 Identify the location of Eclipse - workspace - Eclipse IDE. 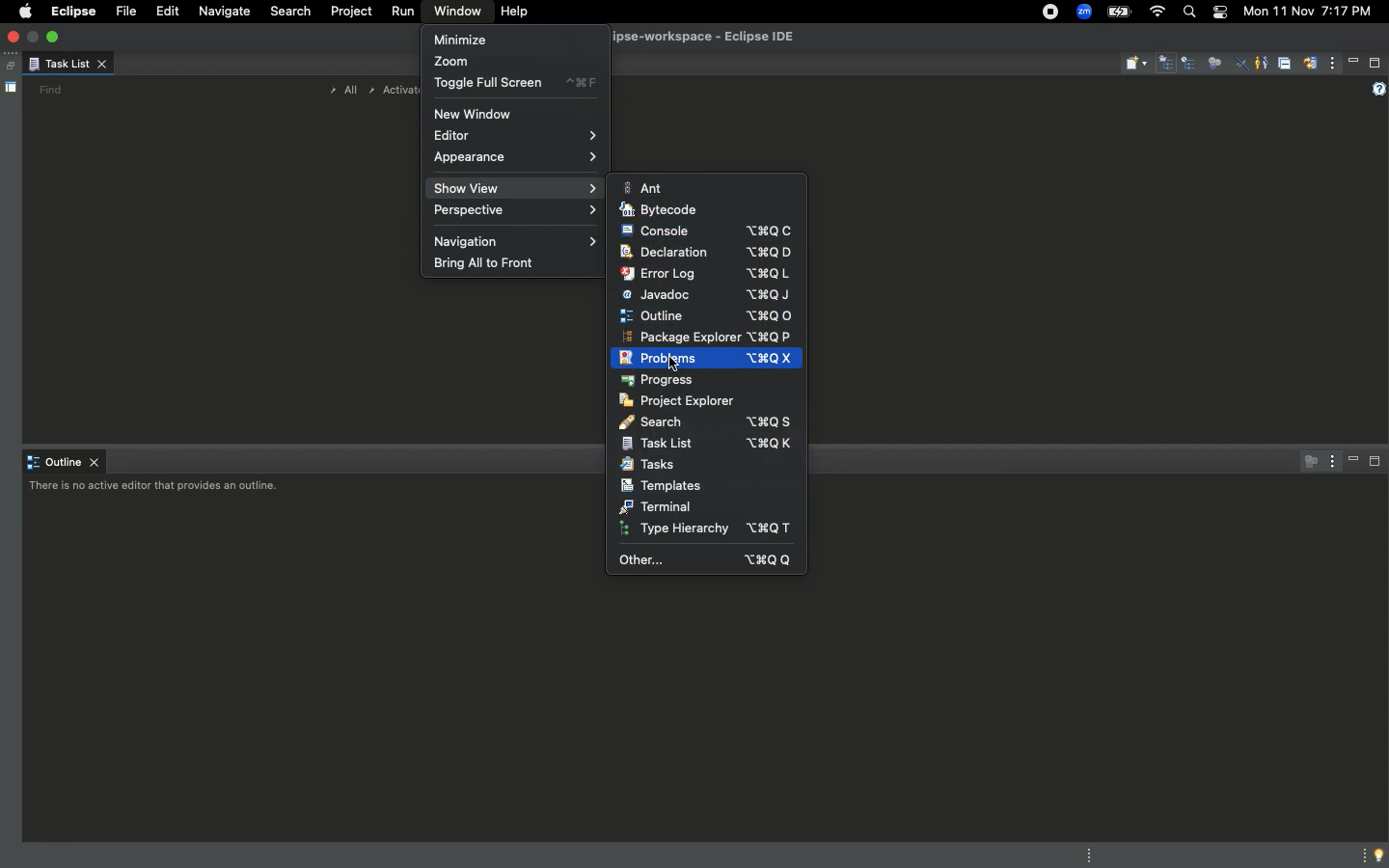
(727, 38).